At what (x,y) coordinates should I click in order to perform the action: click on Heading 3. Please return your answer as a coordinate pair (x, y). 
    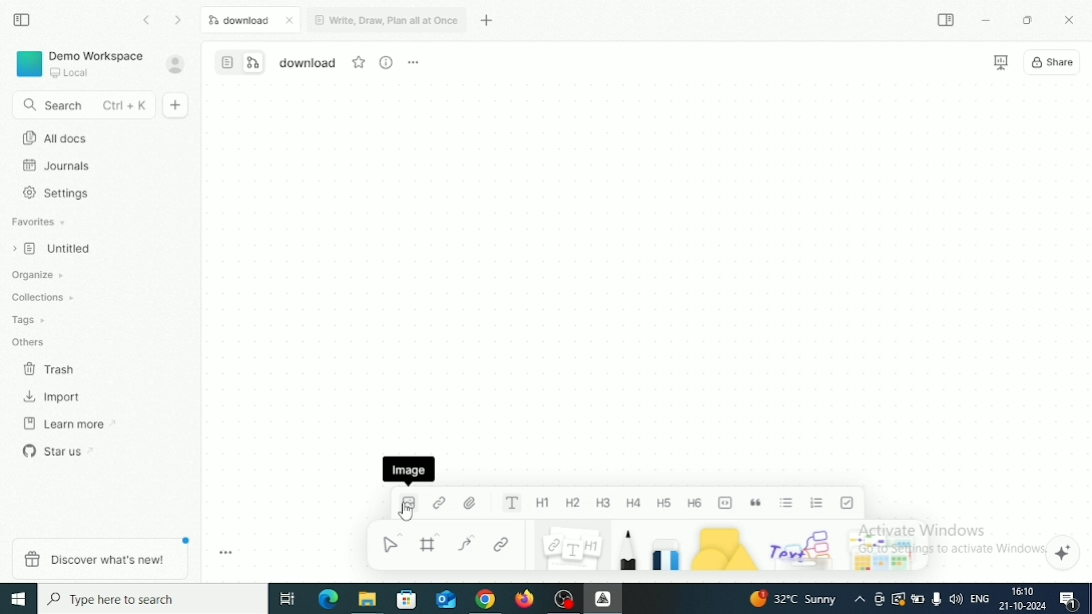
    Looking at the image, I should click on (604, 503).